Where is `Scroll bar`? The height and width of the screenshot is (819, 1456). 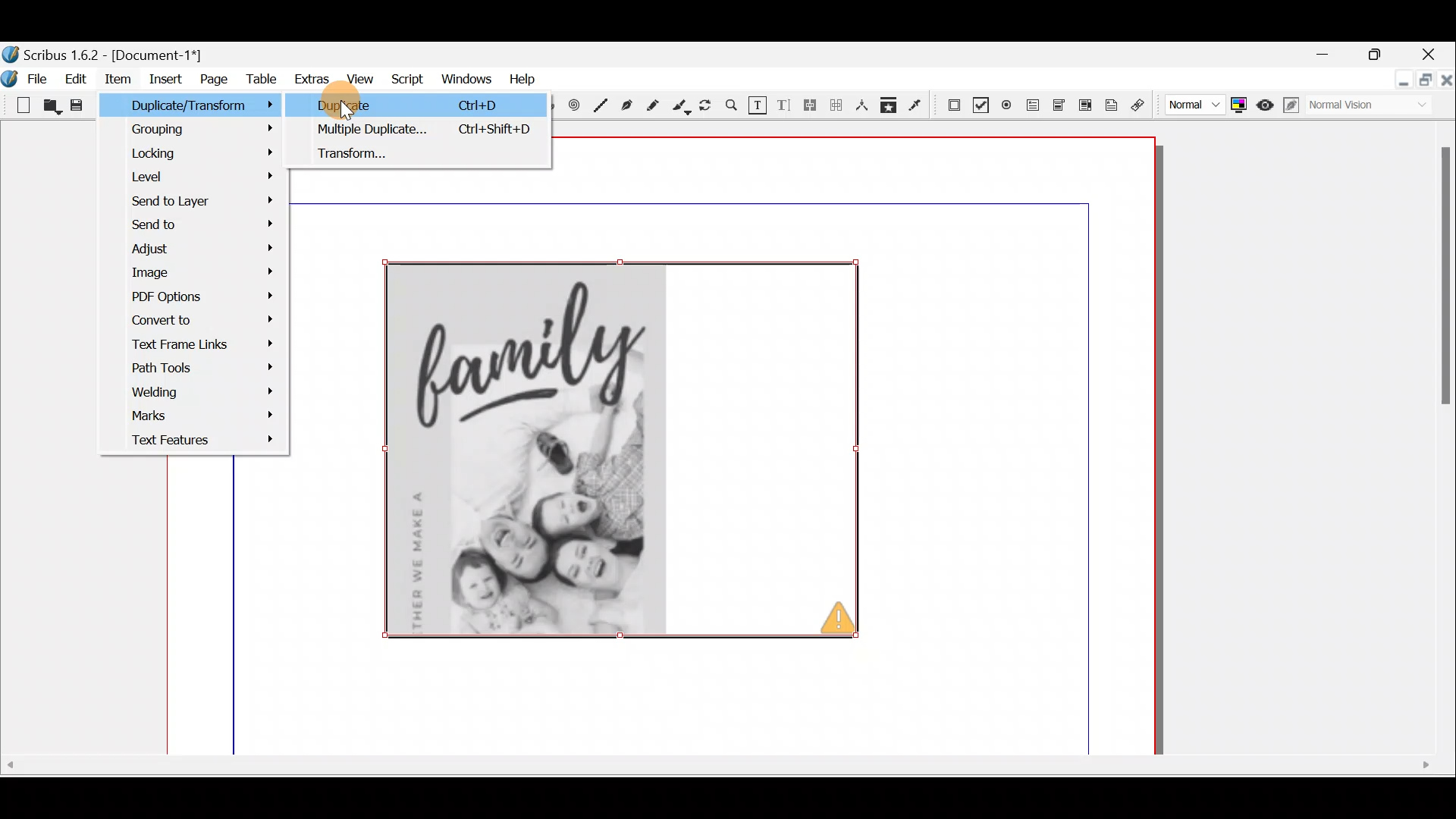
Scroll bar is located at coordinates (718, 781).